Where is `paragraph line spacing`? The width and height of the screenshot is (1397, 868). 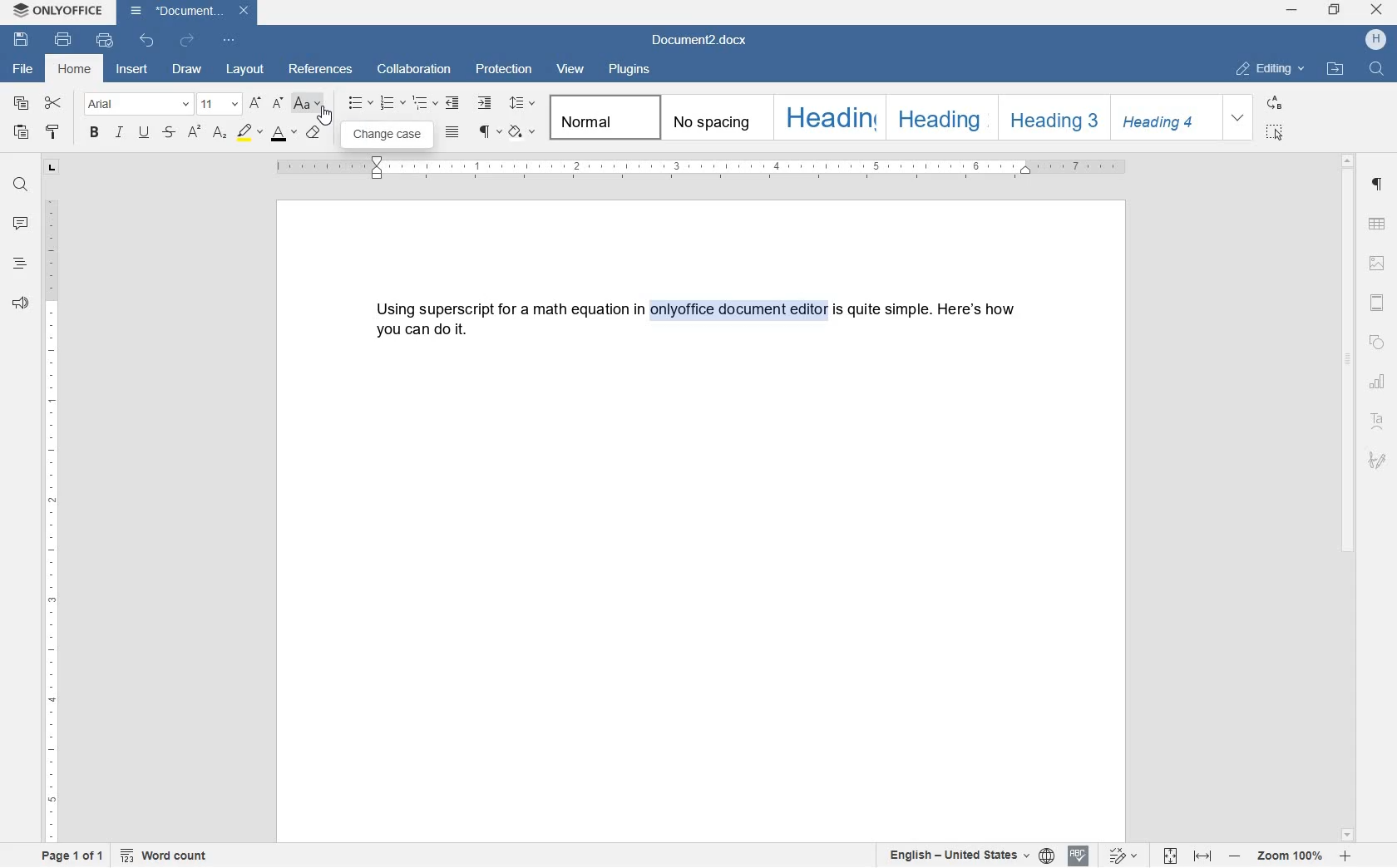
paragraph line spacing is located at coordinates (521, 102).